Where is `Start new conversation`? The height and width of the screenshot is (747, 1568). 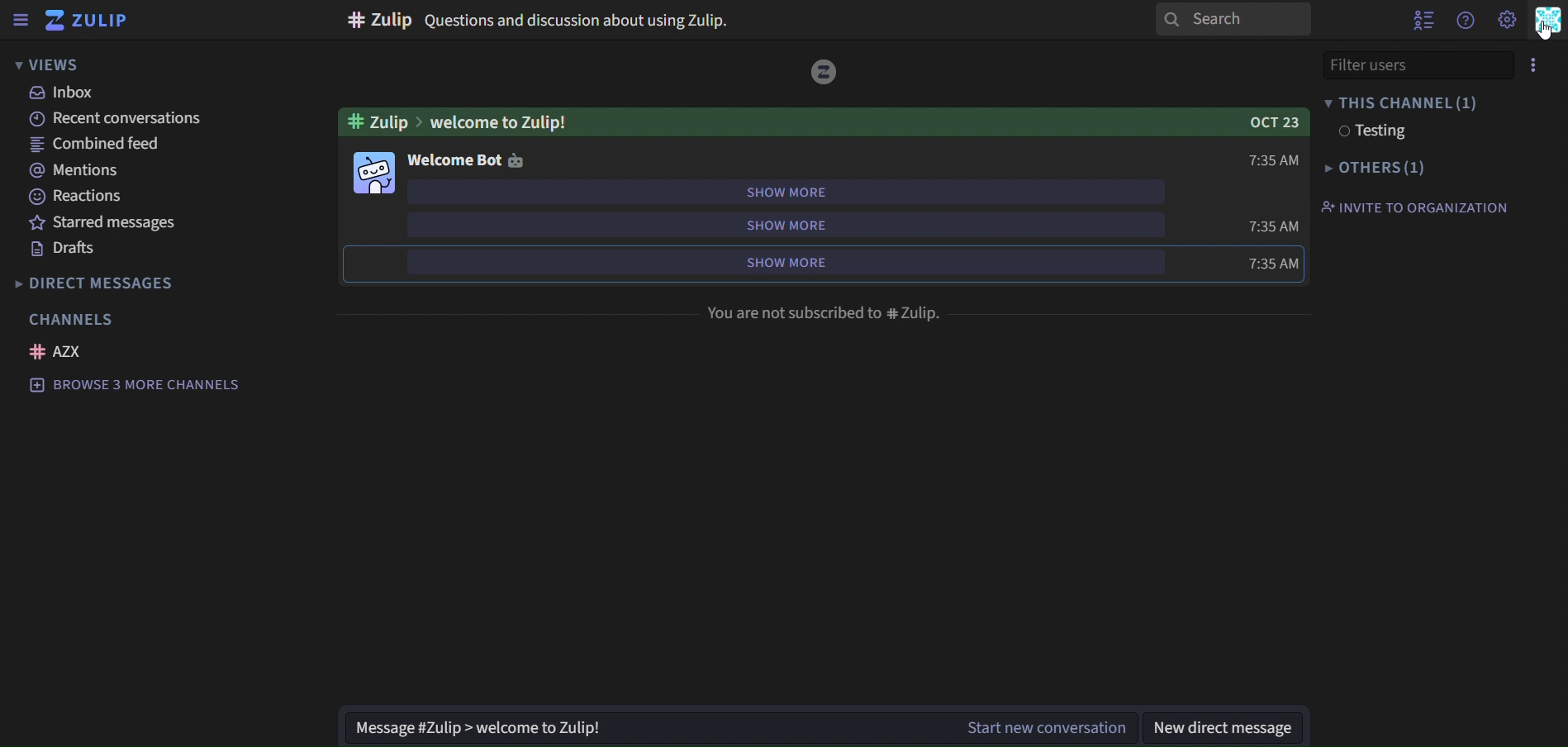
Start new conversation is located at coordinates (1043, 725).